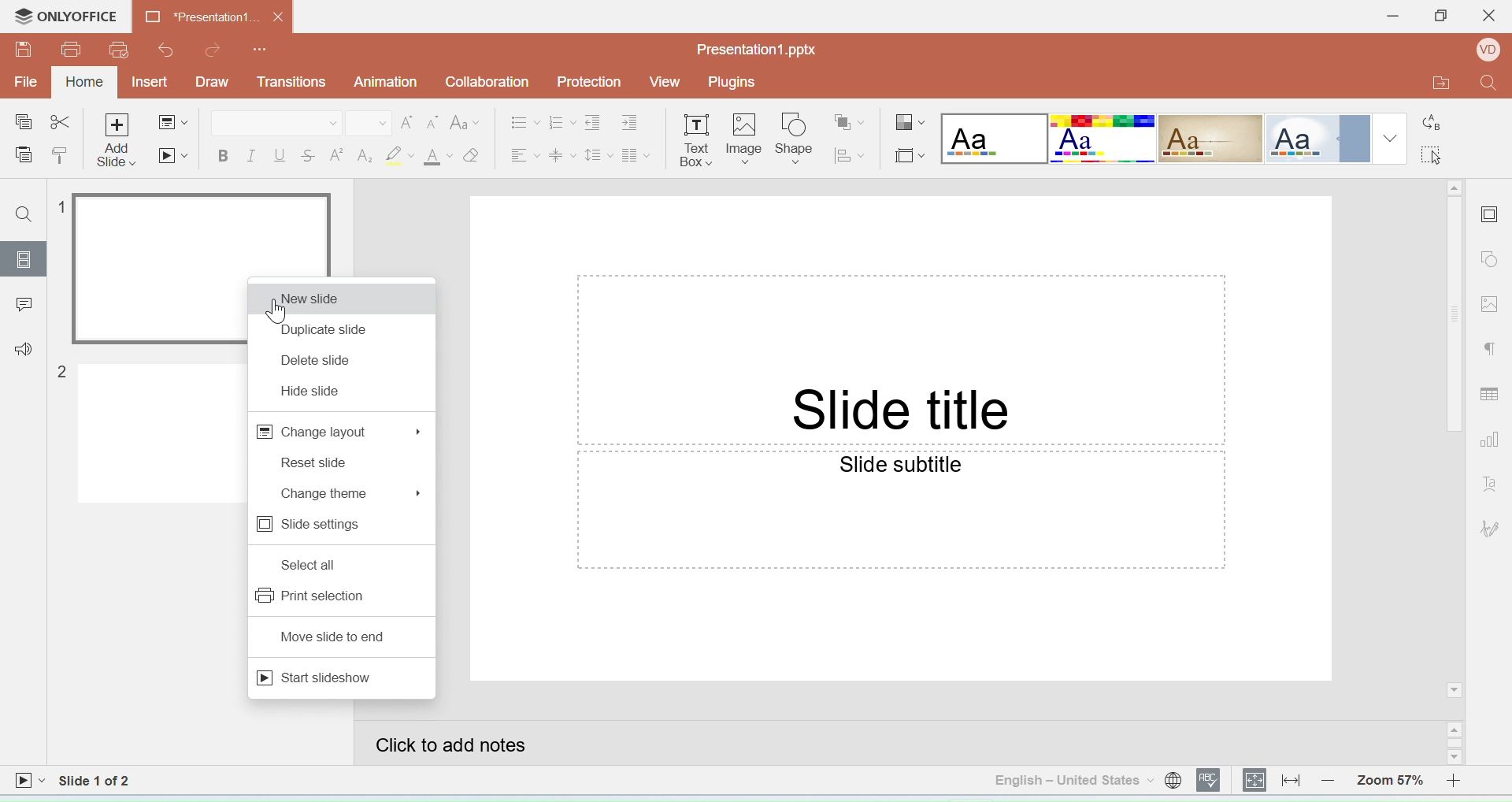 The image size is (1512, 802). What do you see at coordinates (637, 120) in the screenshot?
I see `Increase indent` at bounding box center [637, 120].